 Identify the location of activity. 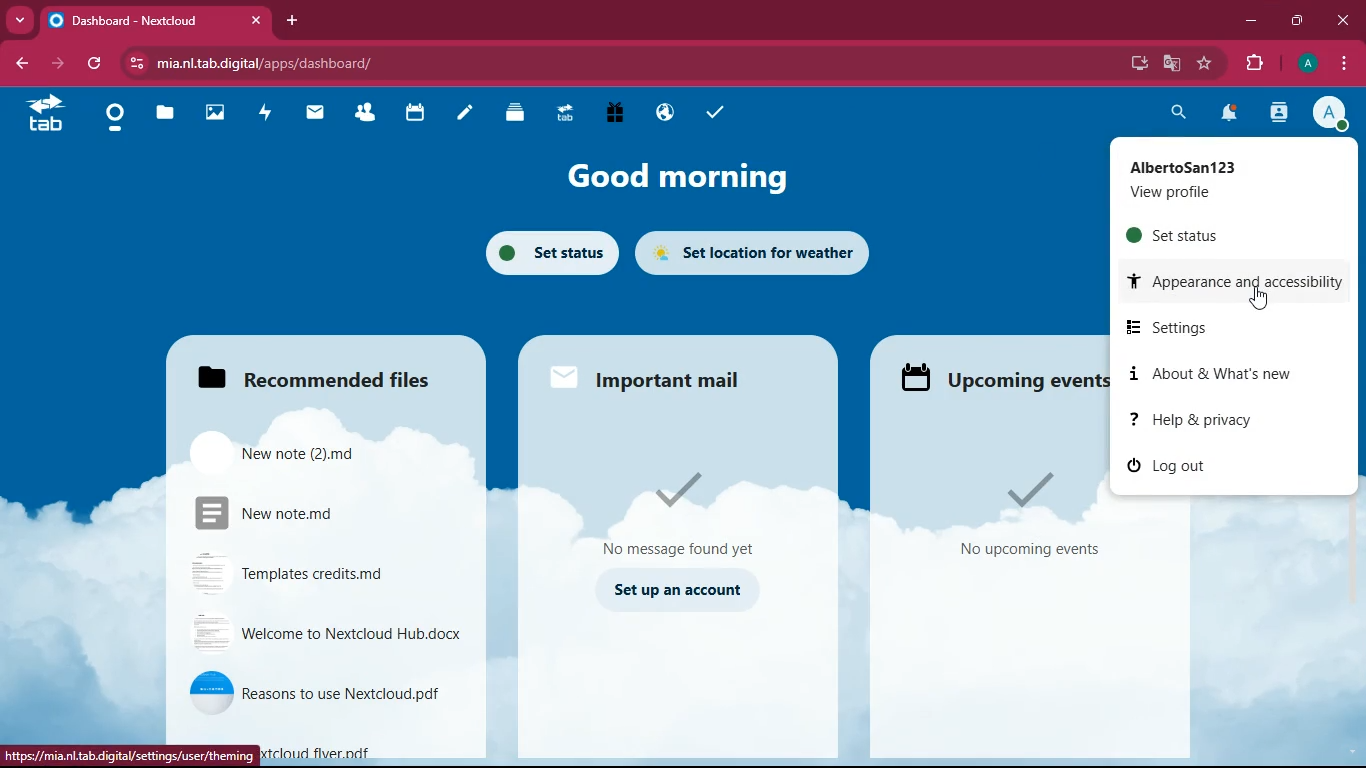
(264, 115).